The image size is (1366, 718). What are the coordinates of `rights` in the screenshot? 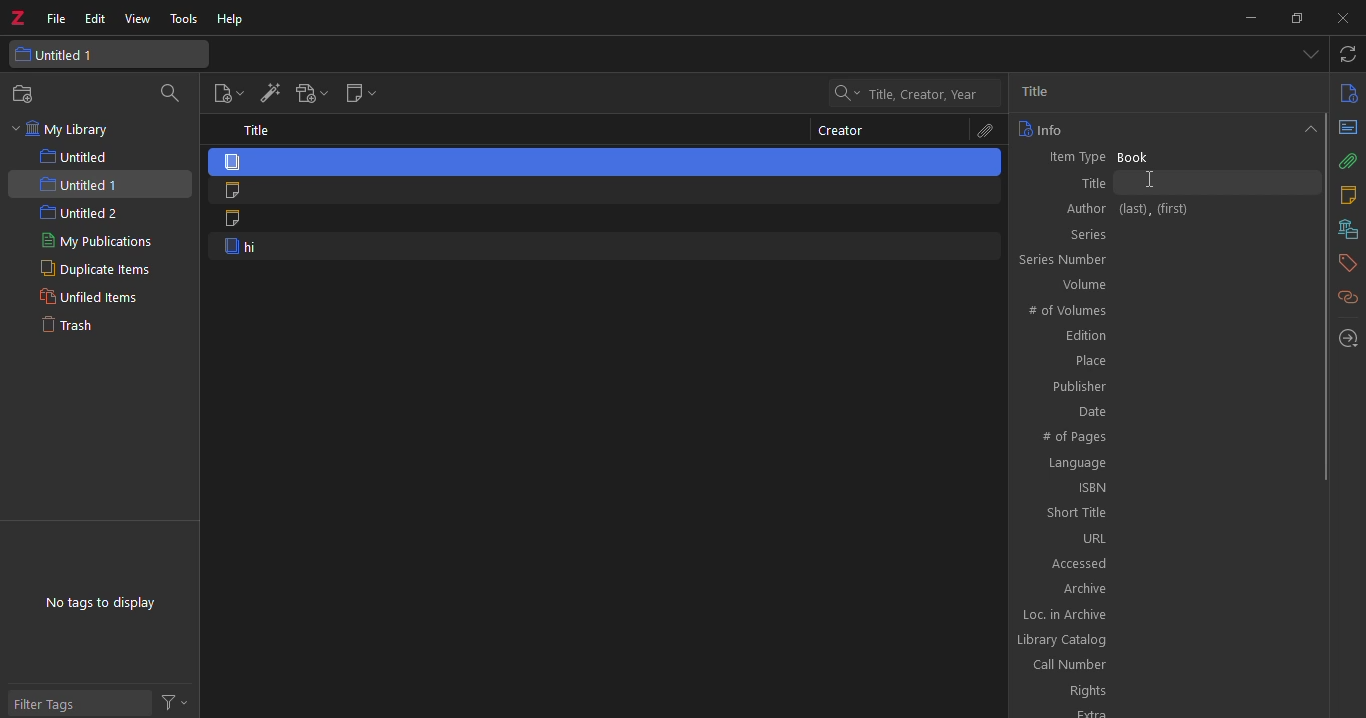 It's located at (1164, 690).